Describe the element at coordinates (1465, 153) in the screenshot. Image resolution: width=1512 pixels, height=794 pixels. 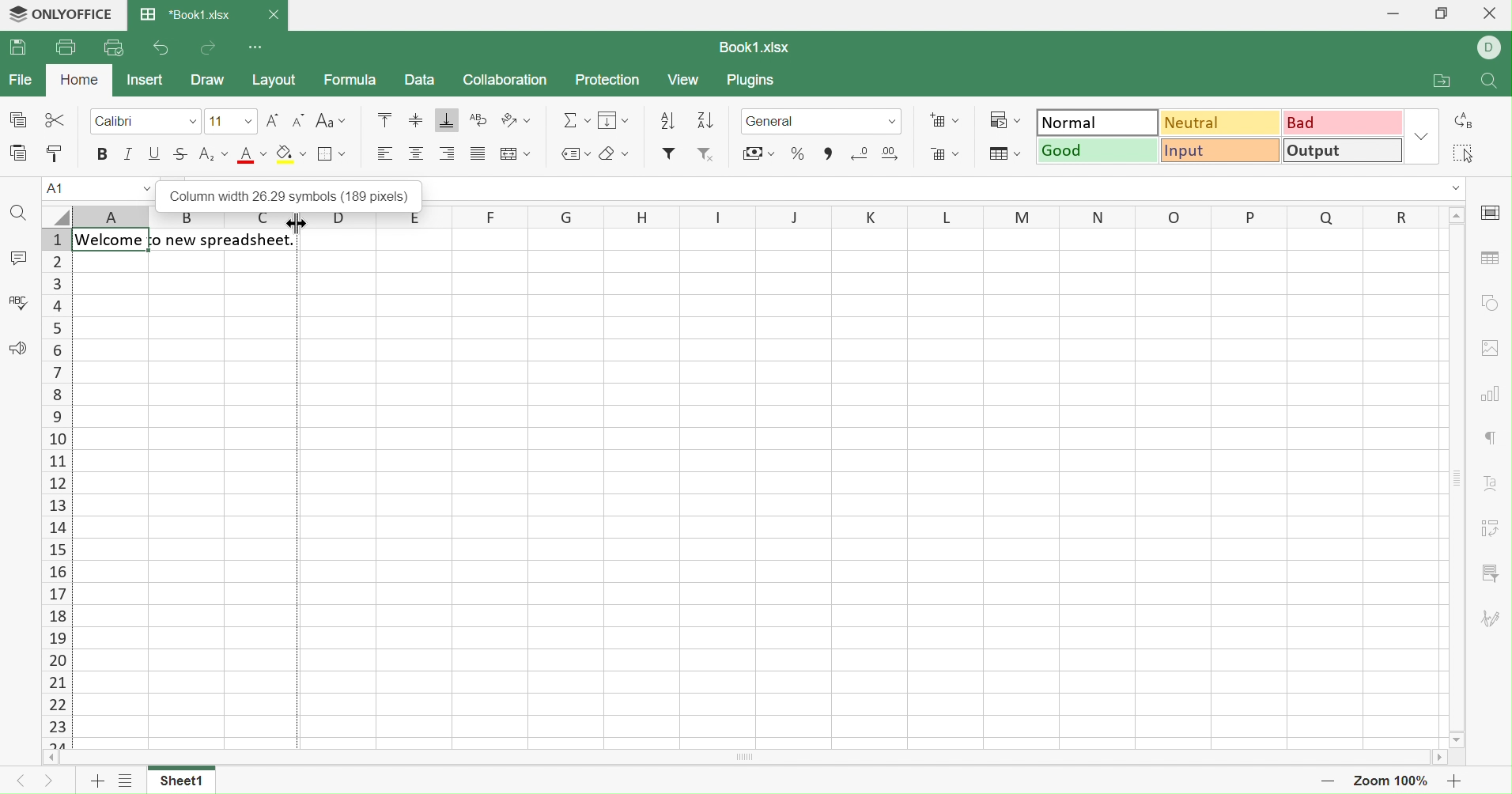
I see `Select all` at that location.